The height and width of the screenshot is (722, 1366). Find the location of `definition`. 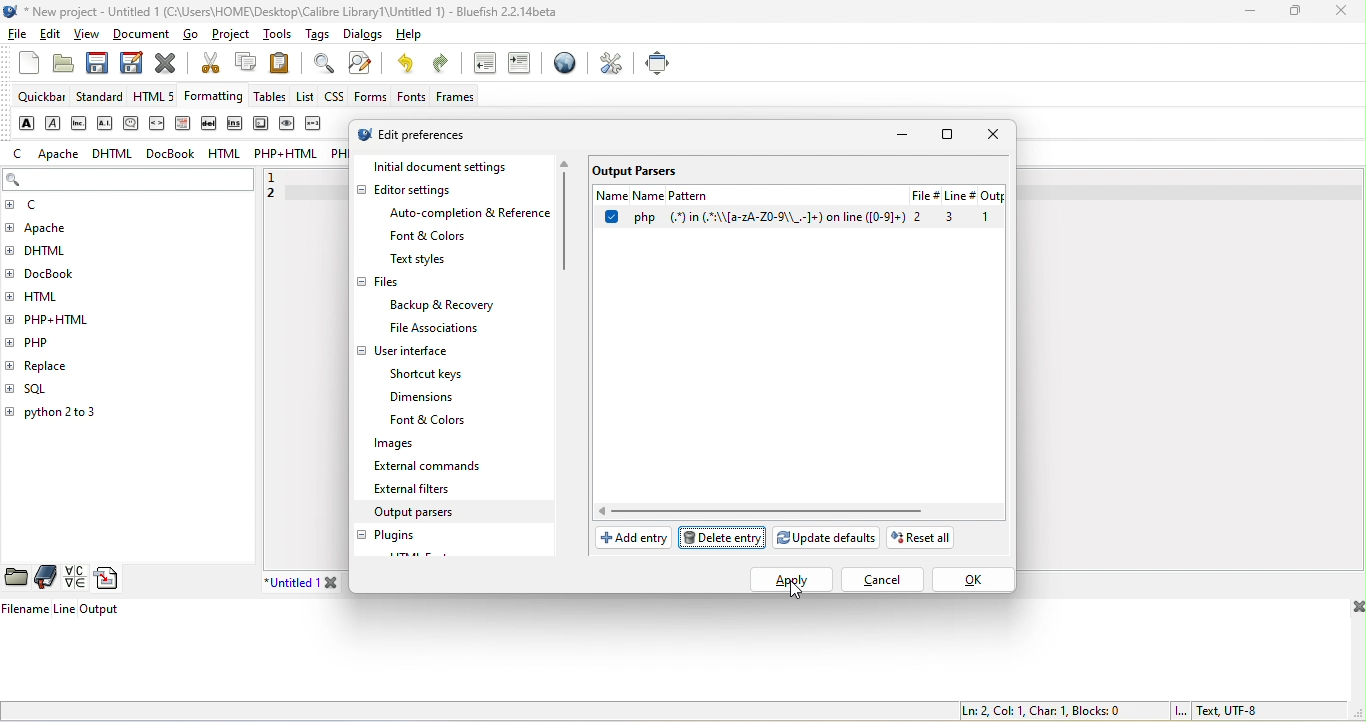

definition is located at coordinates (187, 126).